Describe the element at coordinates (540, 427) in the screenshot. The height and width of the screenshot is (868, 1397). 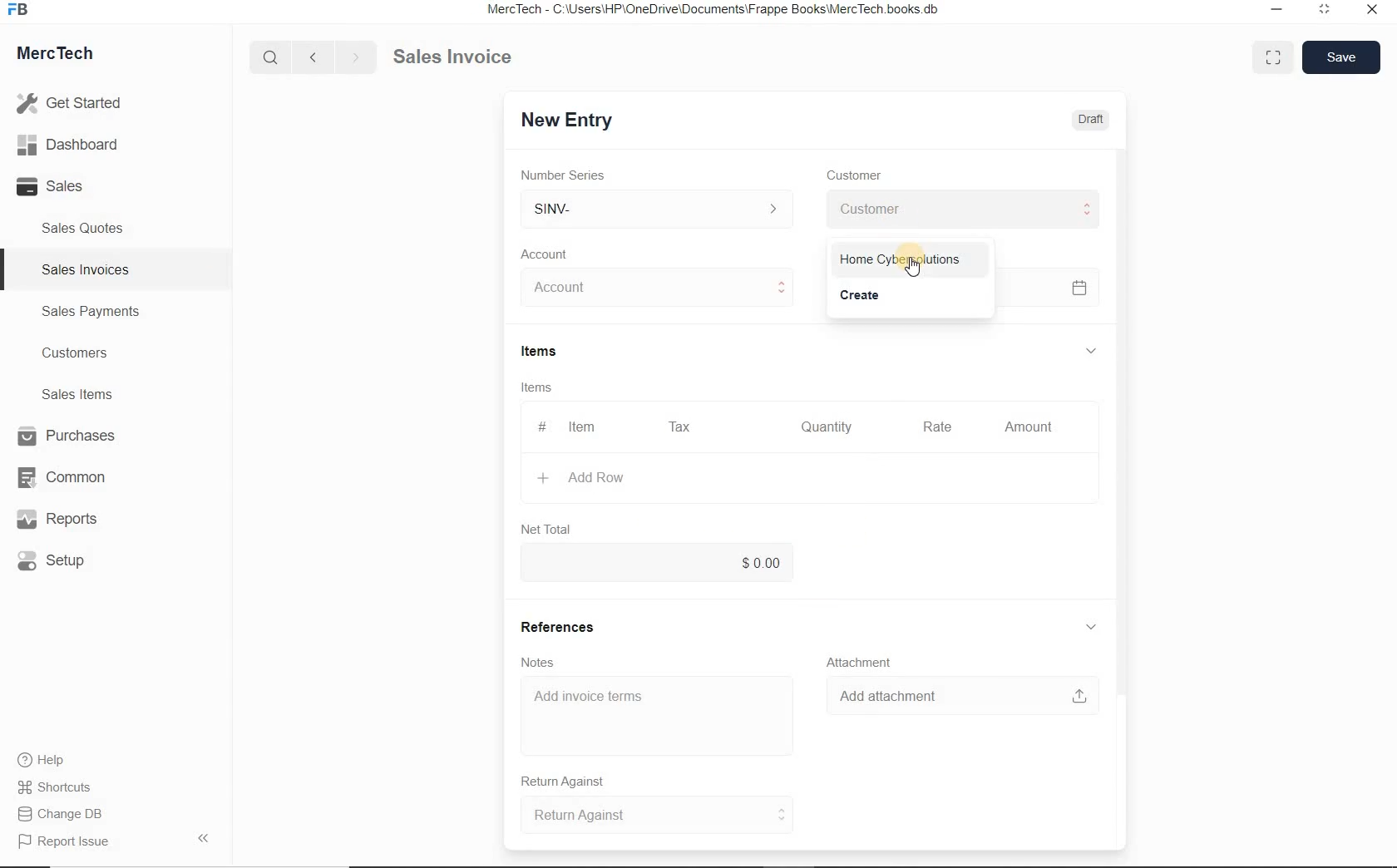
I see `#` at that location.